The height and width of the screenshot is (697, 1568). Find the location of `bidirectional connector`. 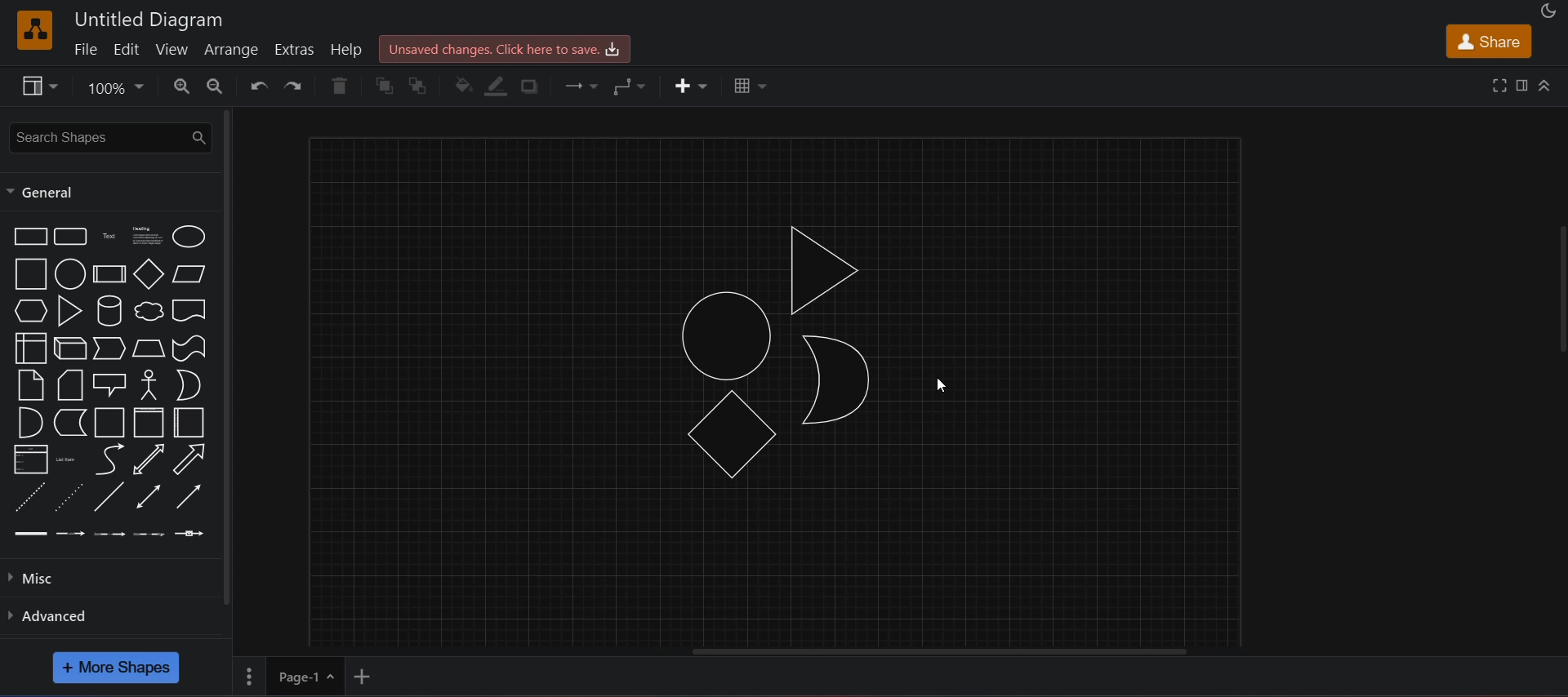

bidirectional connector is located at coordinates (145, 497).